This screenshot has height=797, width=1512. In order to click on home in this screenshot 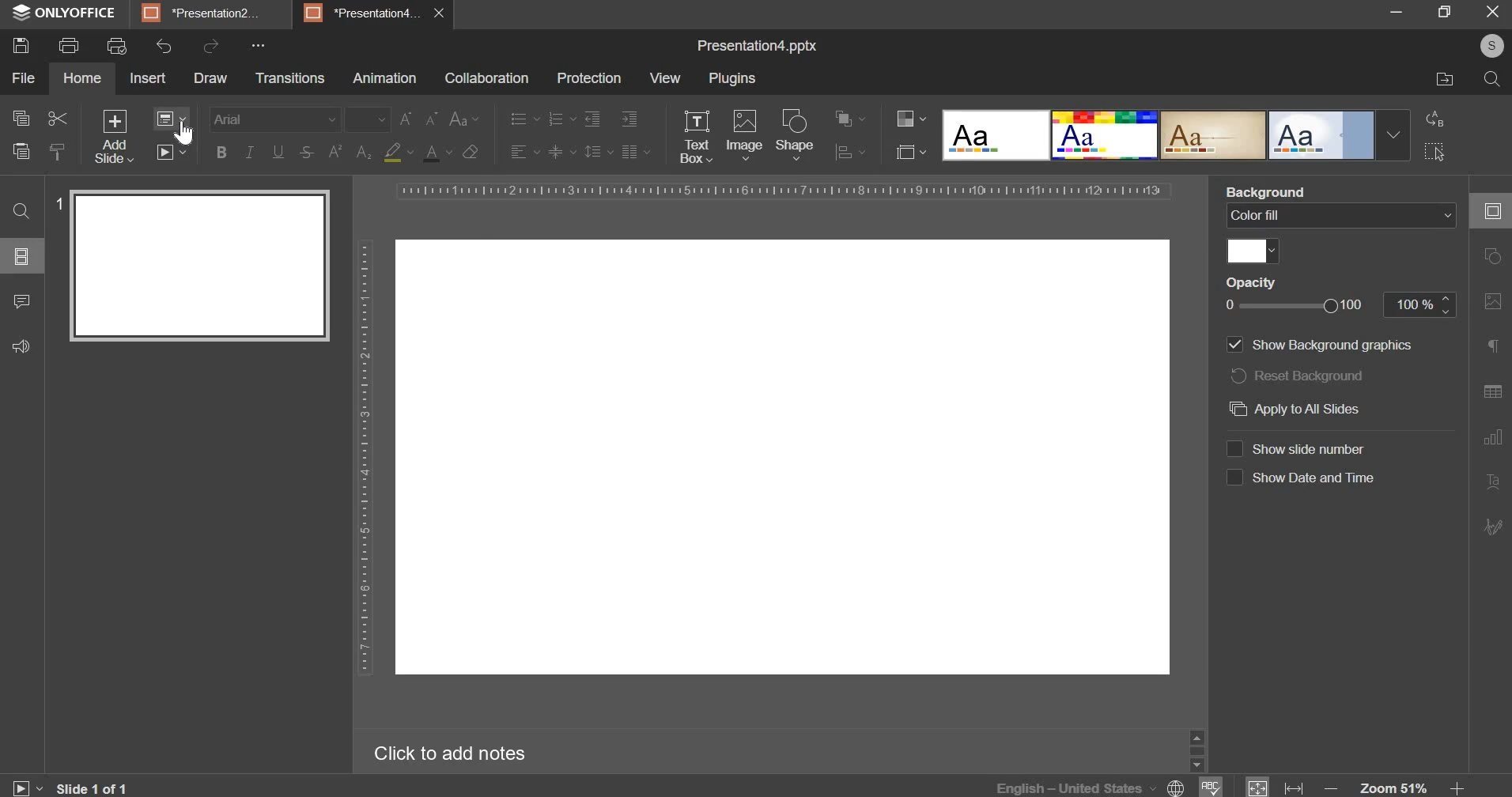, I will do `click(83, 77)`.